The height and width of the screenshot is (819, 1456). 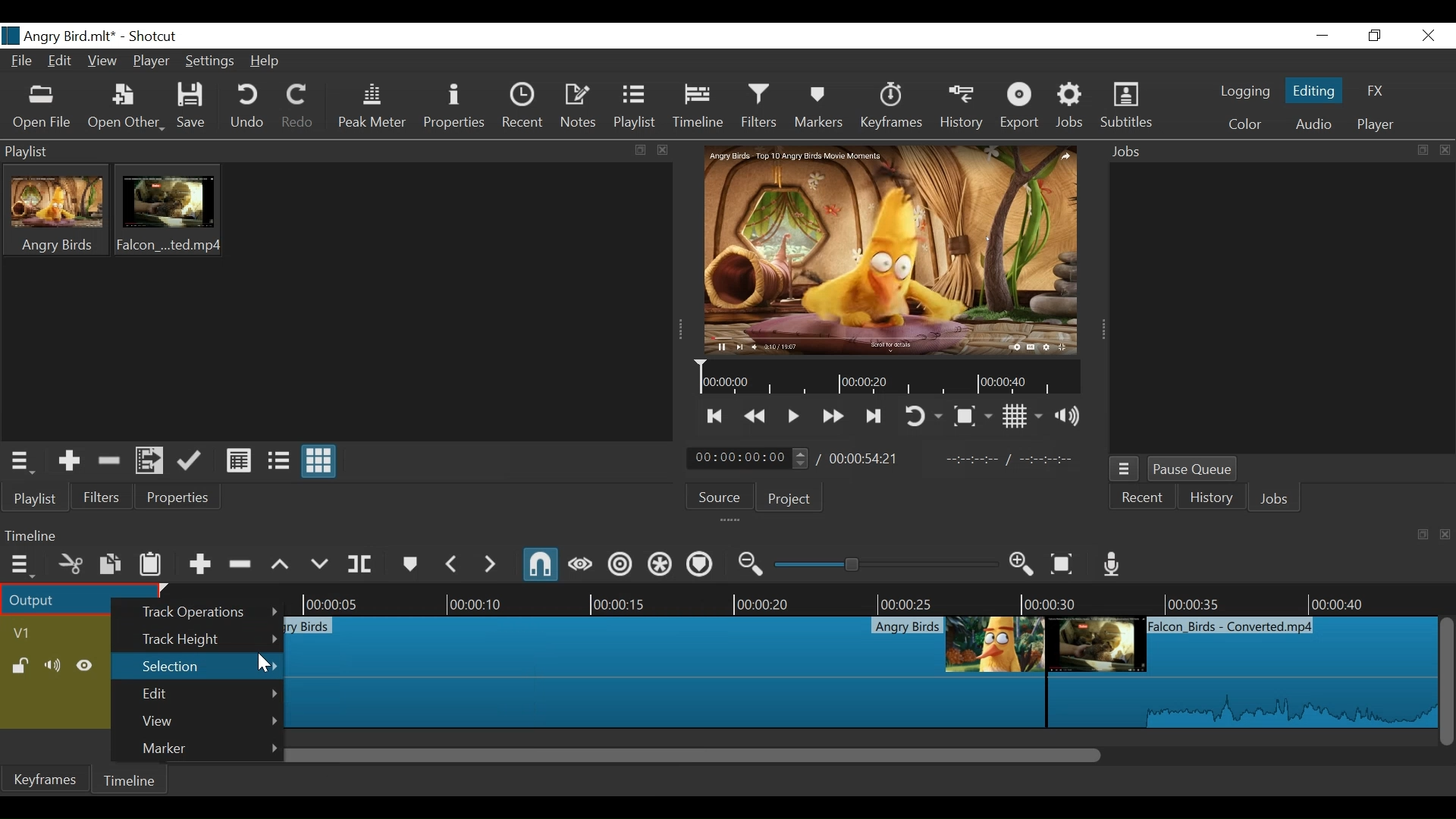 What do you see at coordinates (1278, 152) in the screenshot?
I see `Jobs Panel` at bounding box center [1278, 152].